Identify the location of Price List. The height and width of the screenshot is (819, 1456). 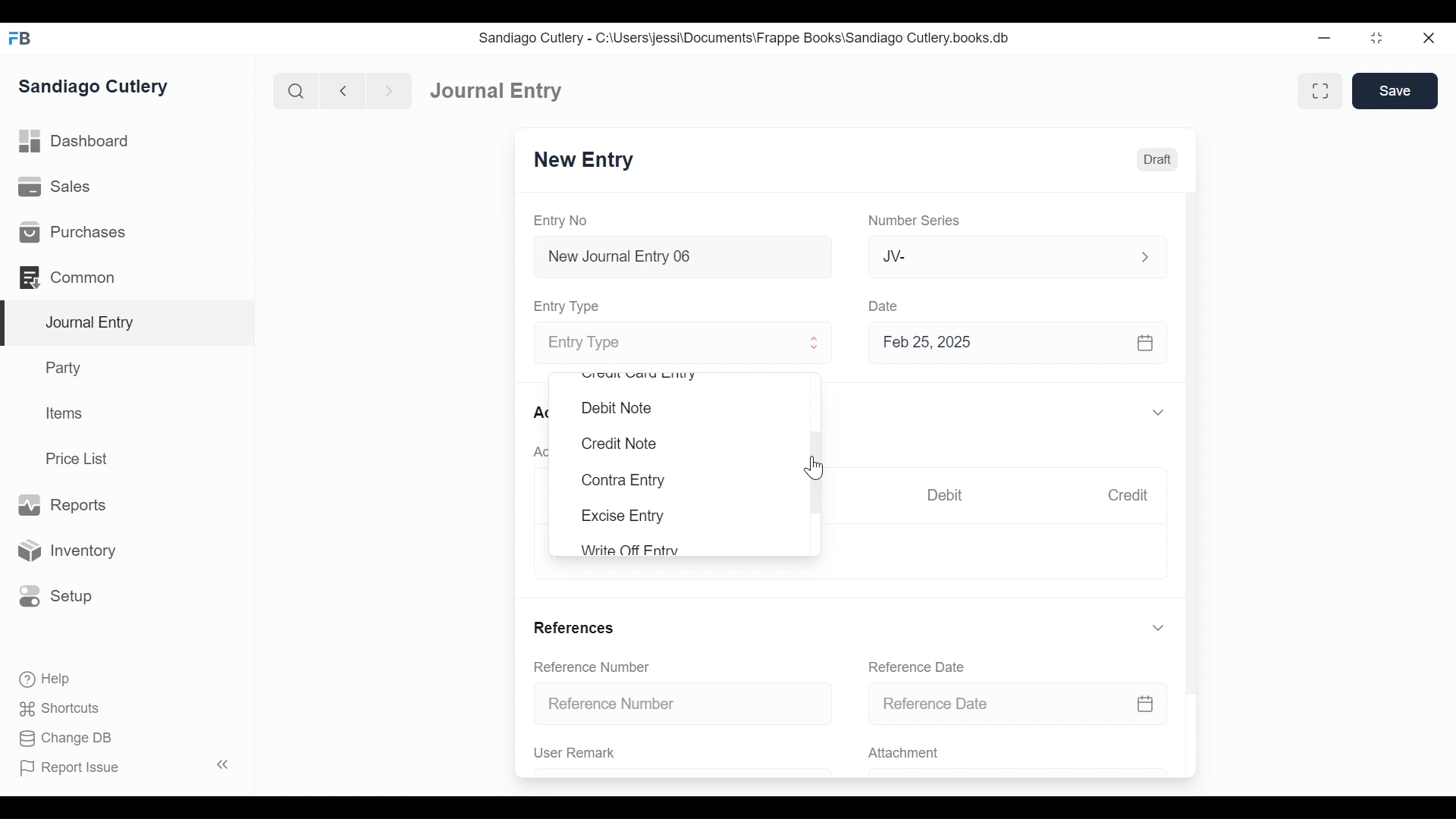
(82, 459).